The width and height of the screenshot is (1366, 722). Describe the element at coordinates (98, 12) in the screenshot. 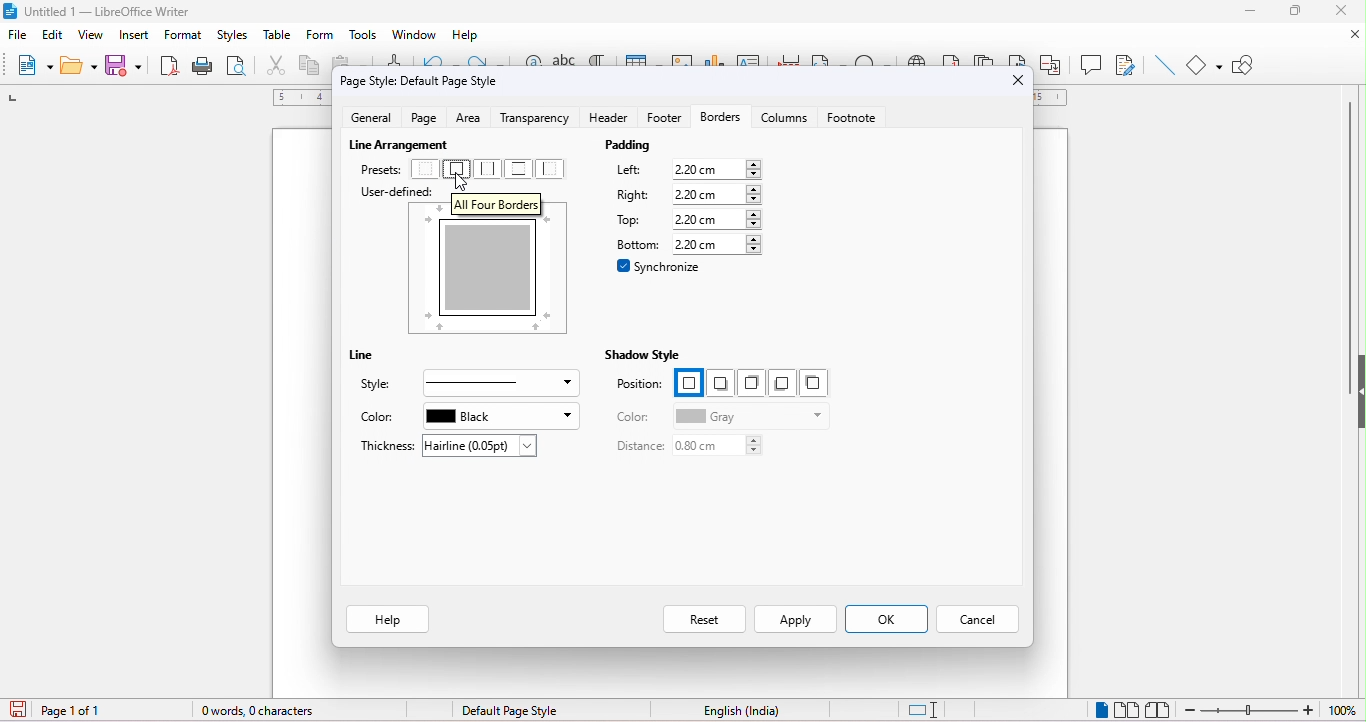

I see `title` at that location.